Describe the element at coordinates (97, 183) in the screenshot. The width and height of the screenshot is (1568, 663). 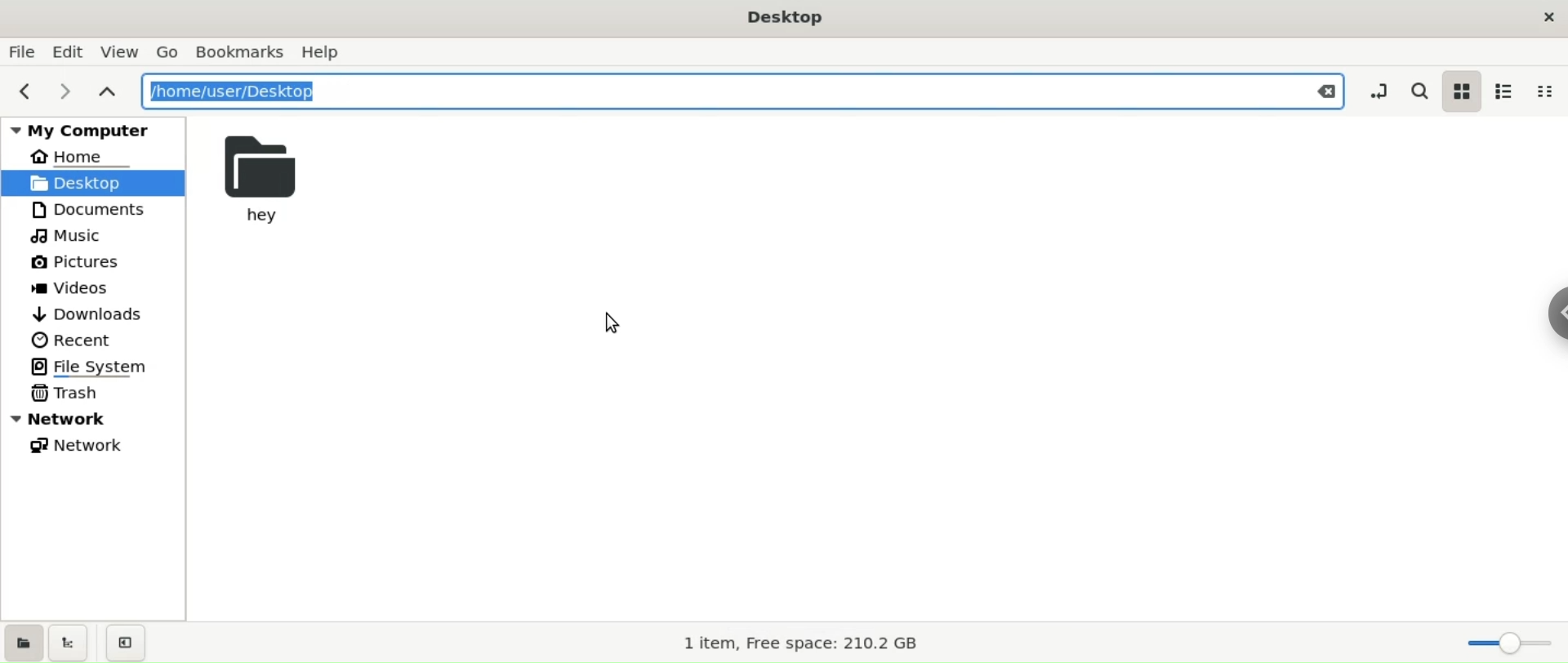
I see `desktop` at that location.